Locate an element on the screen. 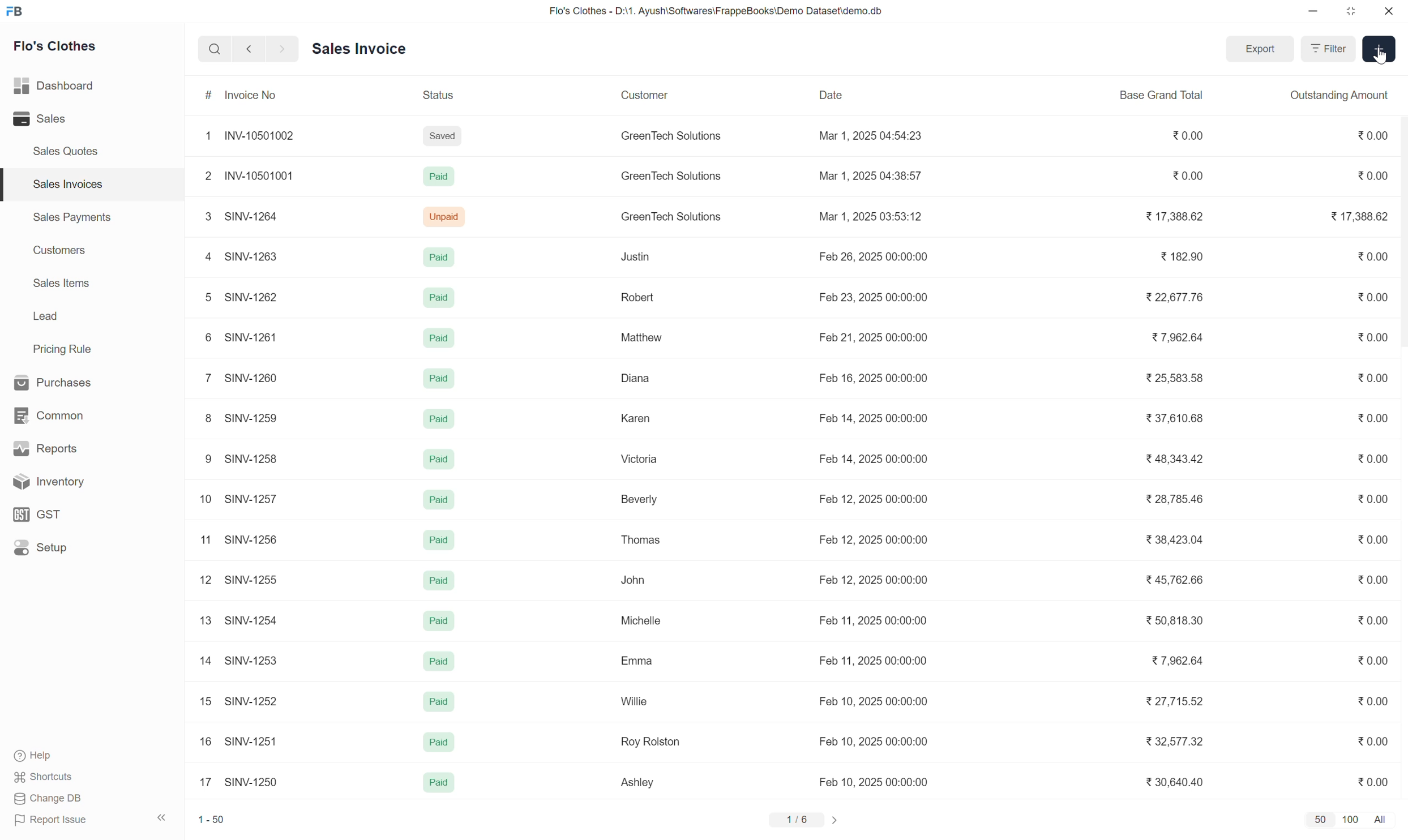  ₹0.00 is located at coordinates (1372, 542).